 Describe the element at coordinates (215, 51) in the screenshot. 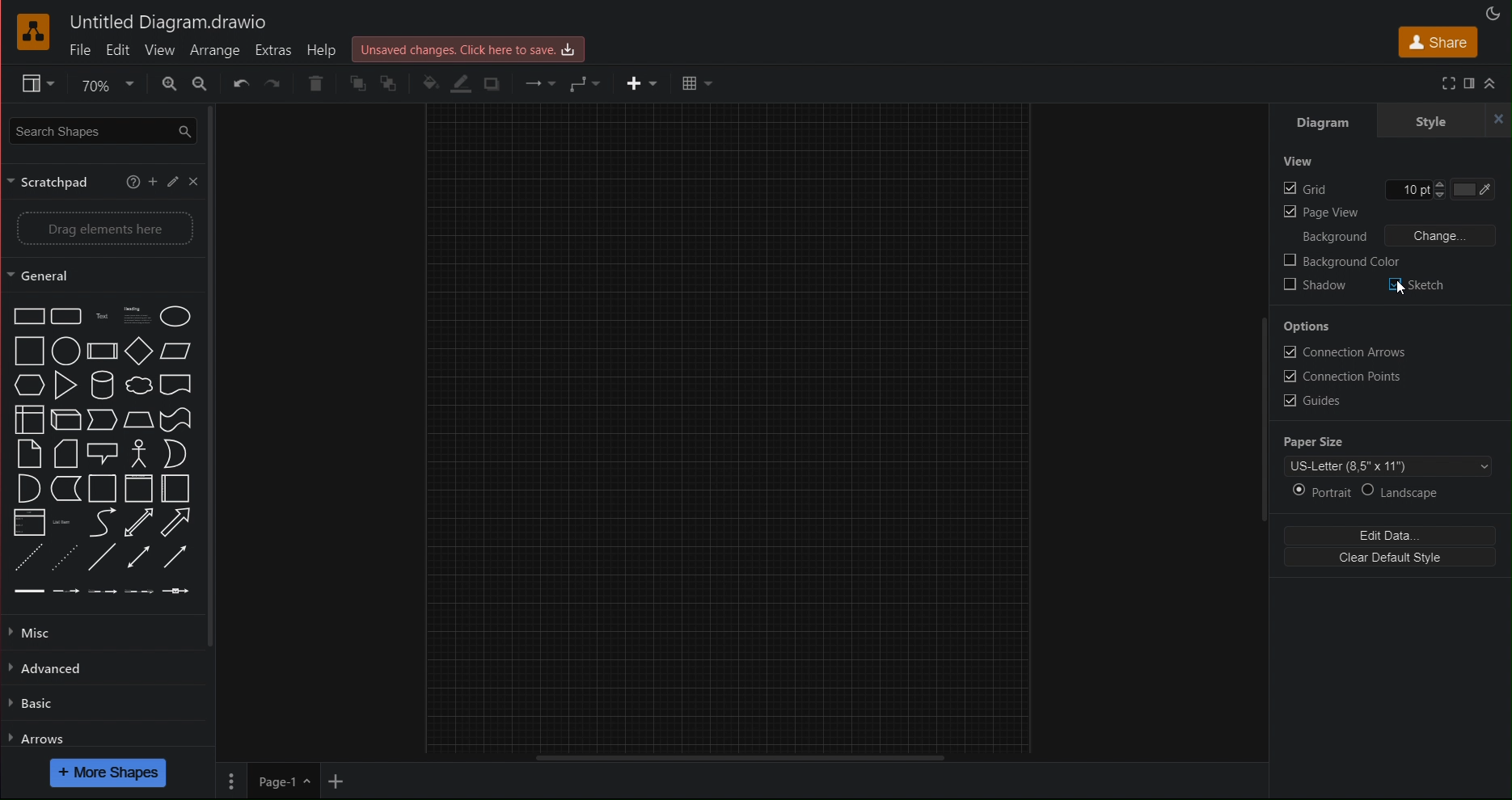

I see `Arrange` at that location.